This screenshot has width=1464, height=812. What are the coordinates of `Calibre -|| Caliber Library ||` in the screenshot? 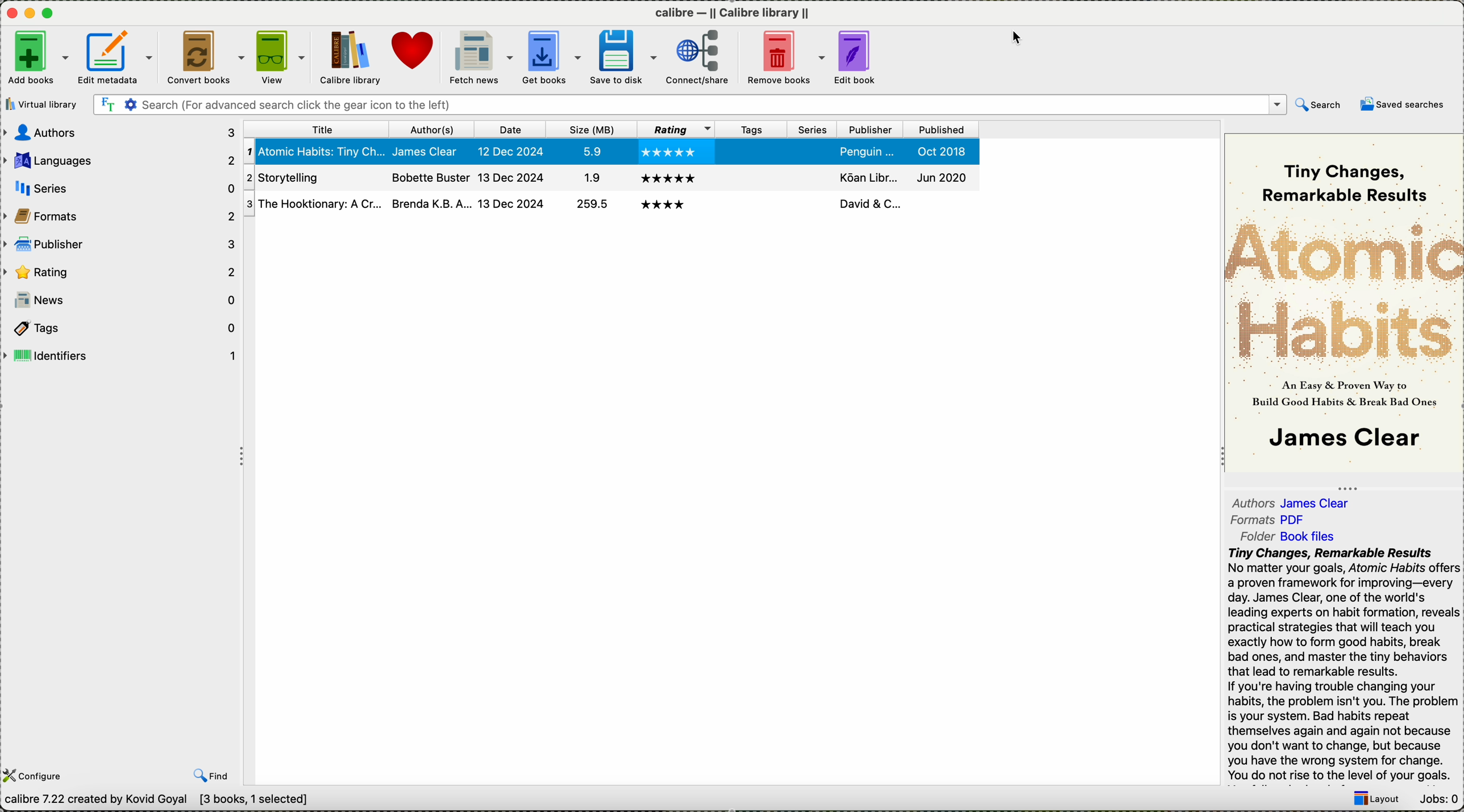 It's located at (735, 13).